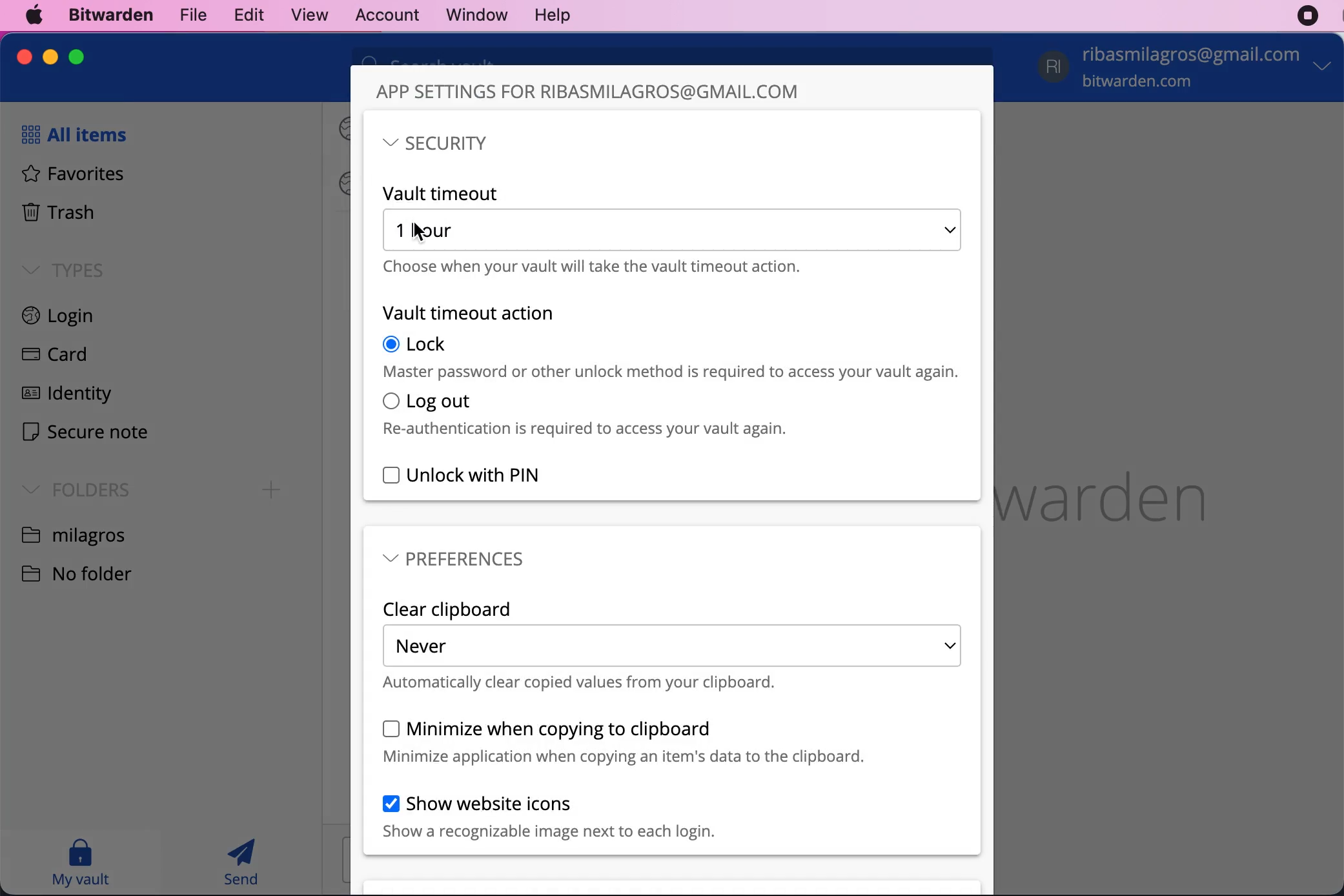  Describe the element at coordinates (57, 214) in the screenshot. I see `trash` at that location.